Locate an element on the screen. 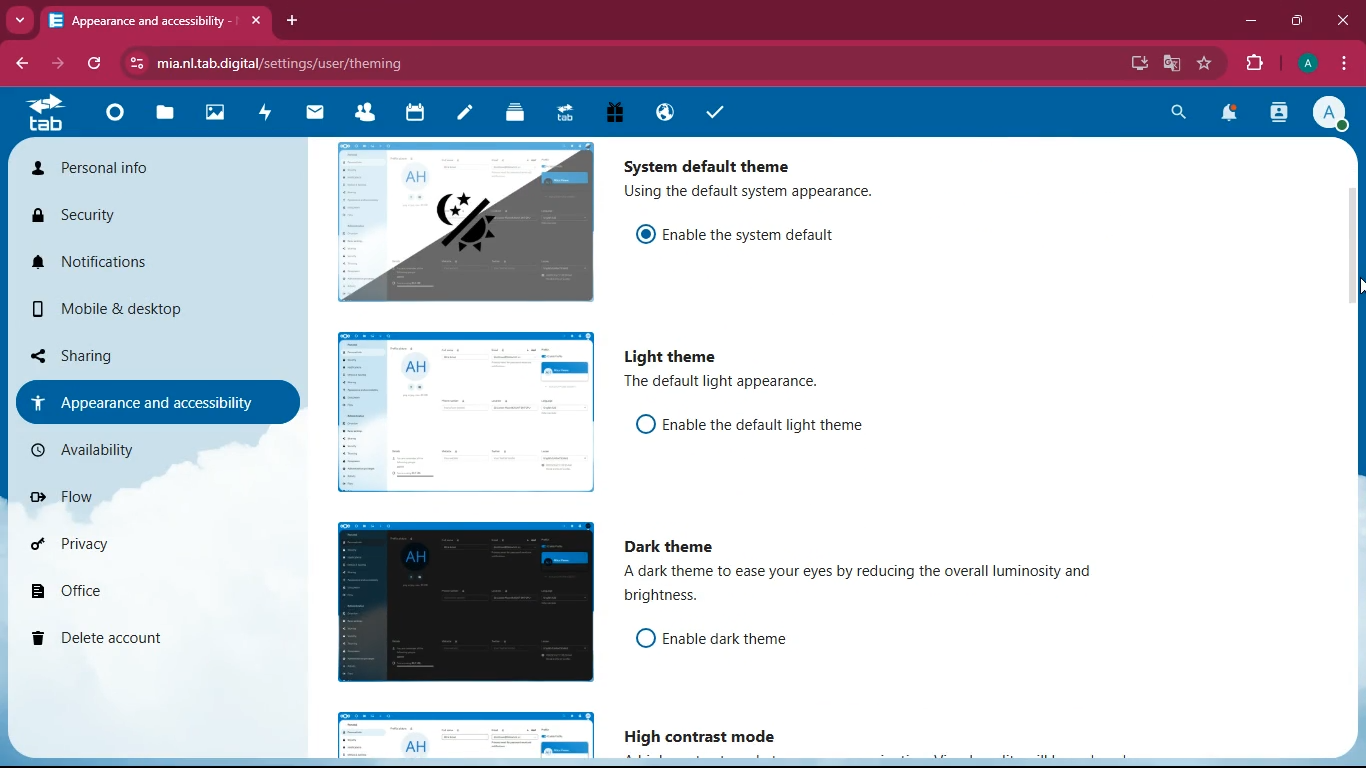 This screenshot has height=768, width=1366. activity is located at coordinates (1278, 114).